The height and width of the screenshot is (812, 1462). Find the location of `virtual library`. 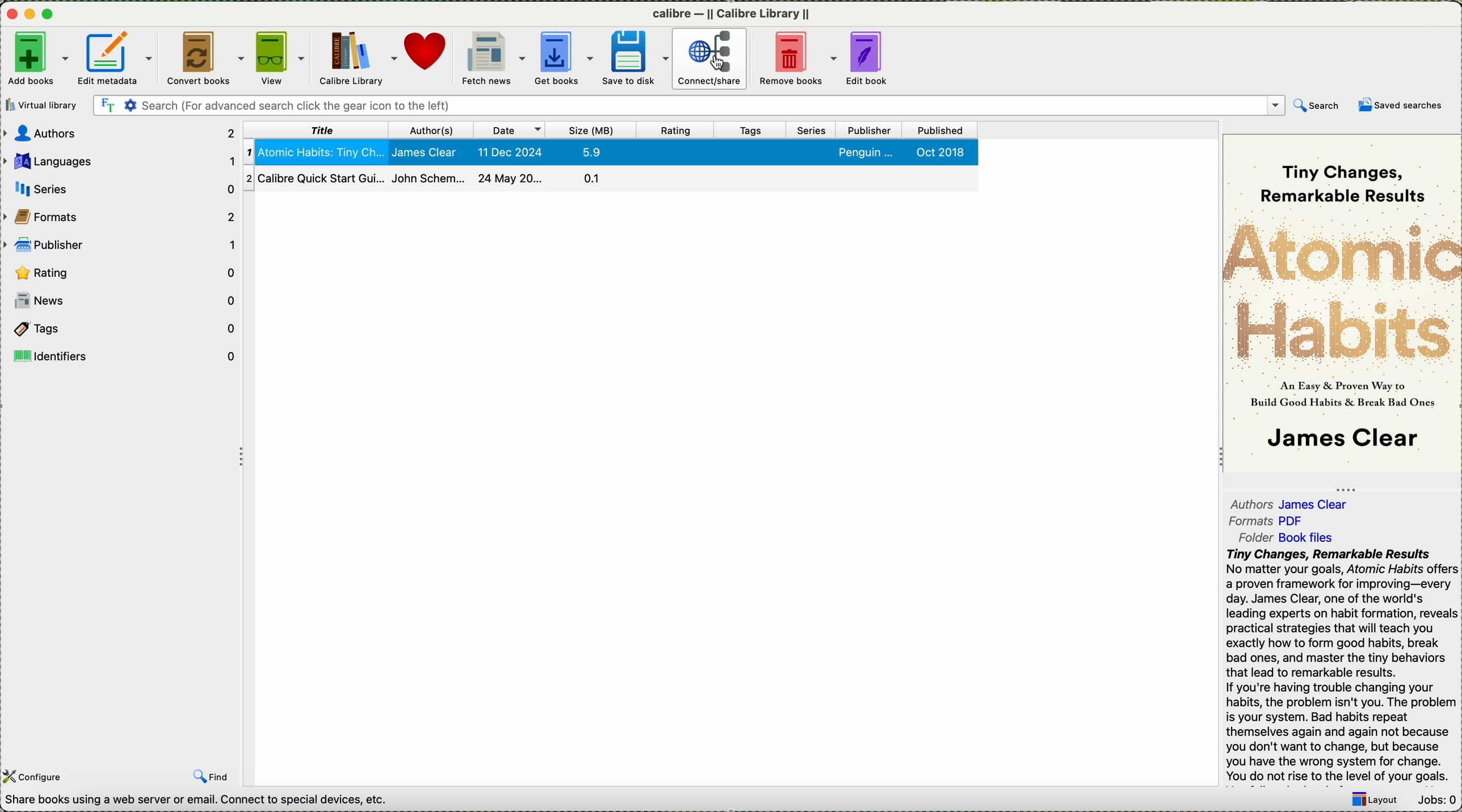

virtual library is located at coordinates (42, 105).